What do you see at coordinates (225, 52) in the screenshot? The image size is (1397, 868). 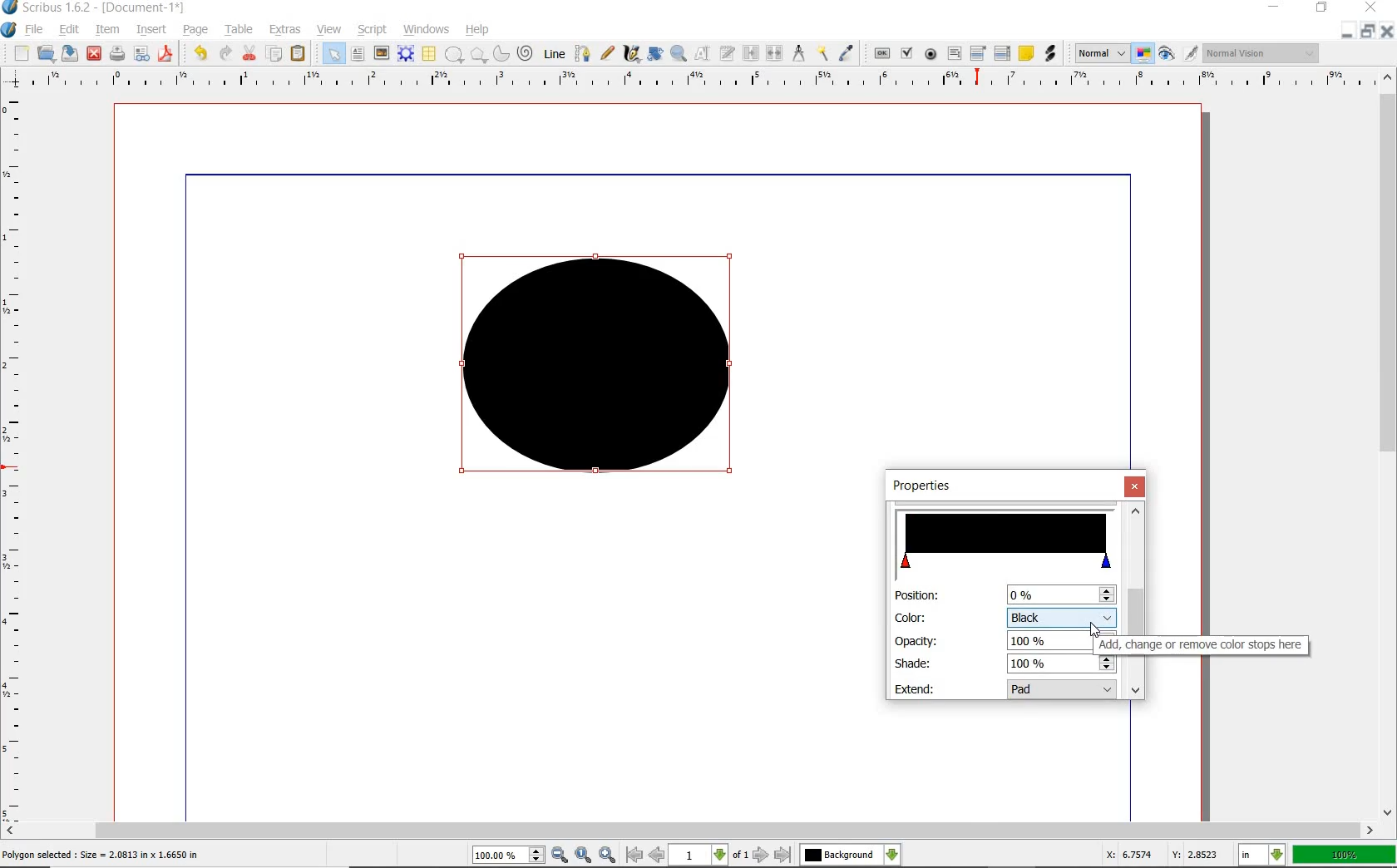 I see `REDO` at bounding box center [225, 52].